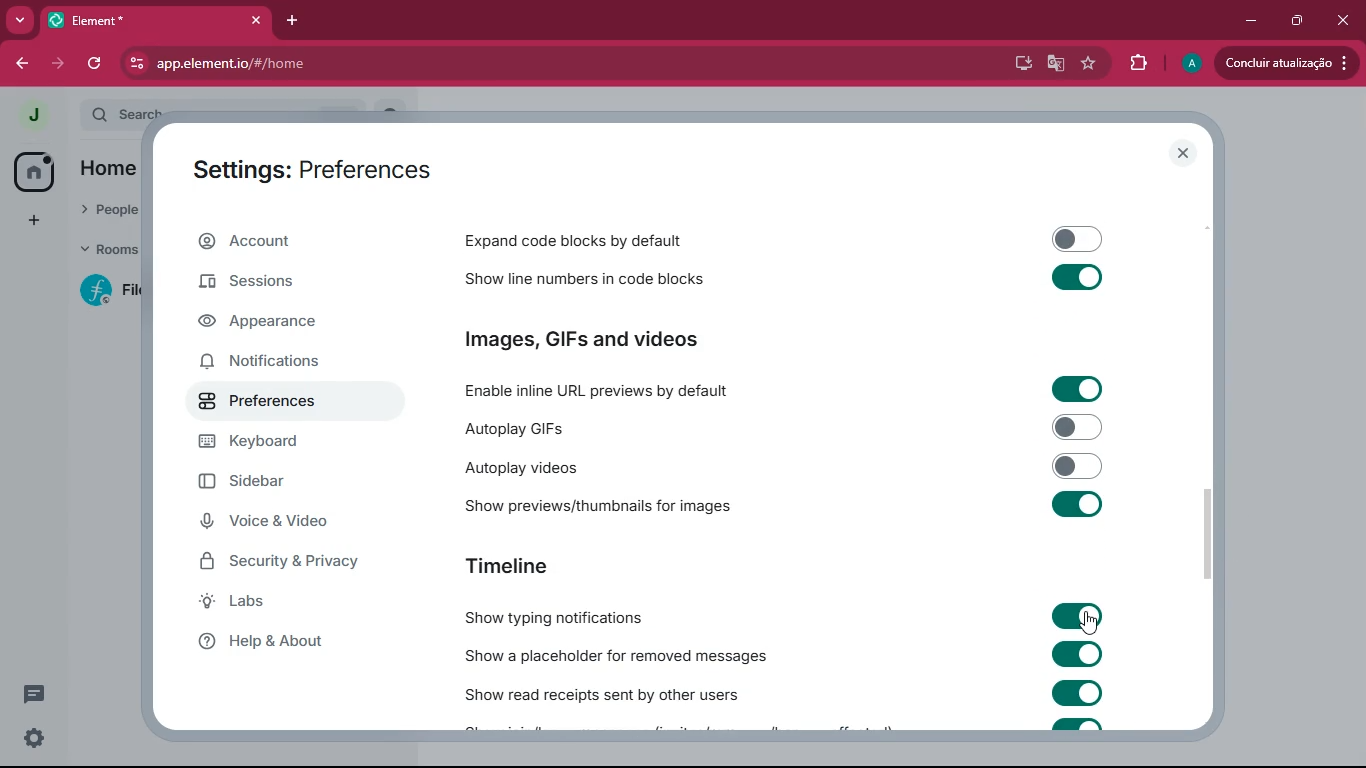 The width and height of the screenshot is (1366, 768). What do you see at coordinates (630, 339) in the screenshot?
I see `images, GIFs and videos` at bounding box center [630, 339].